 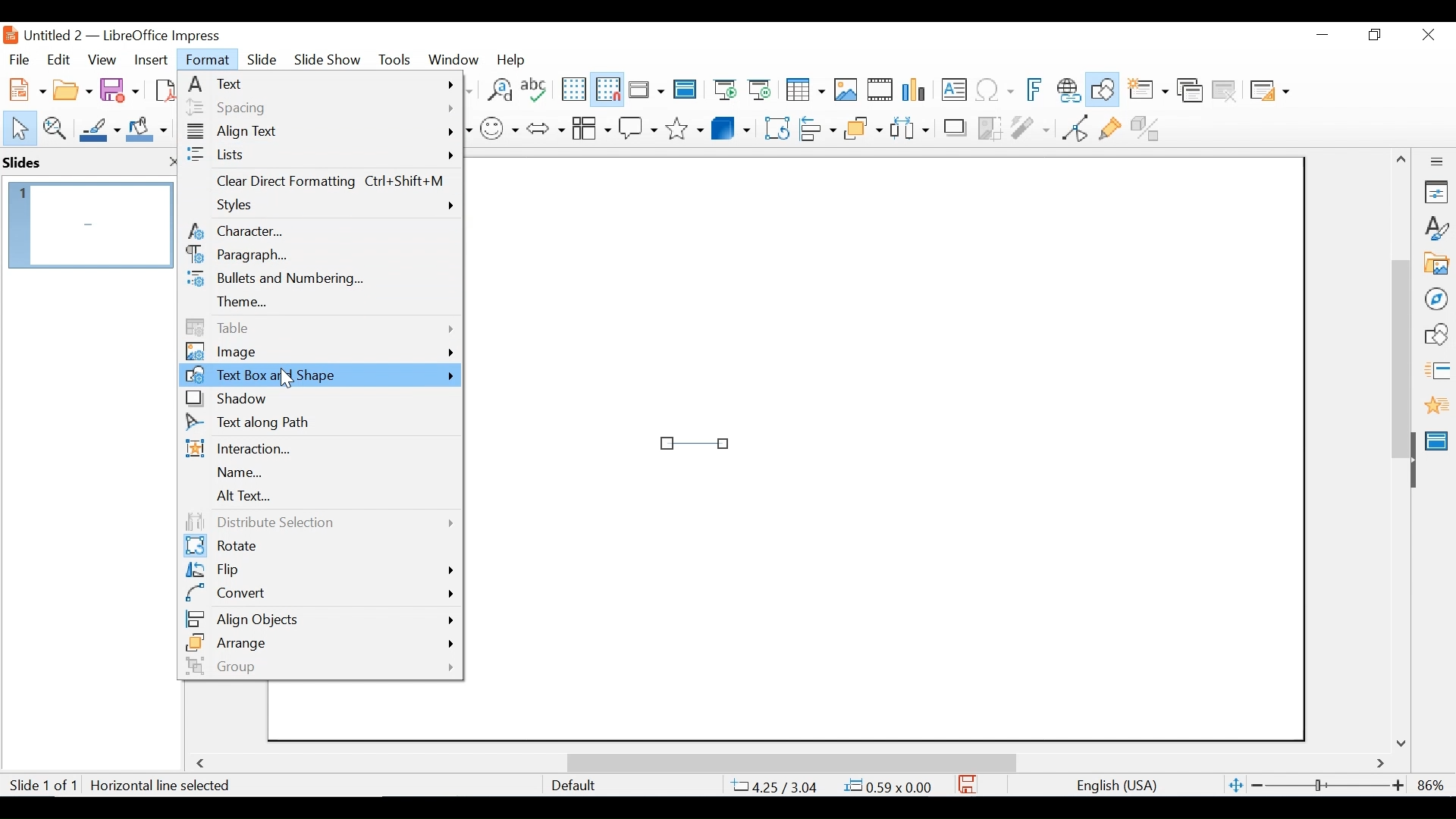 What do you see at coordinates (453, 59) in the screenshot?
I see `Window` at bounding box center [453, 59].